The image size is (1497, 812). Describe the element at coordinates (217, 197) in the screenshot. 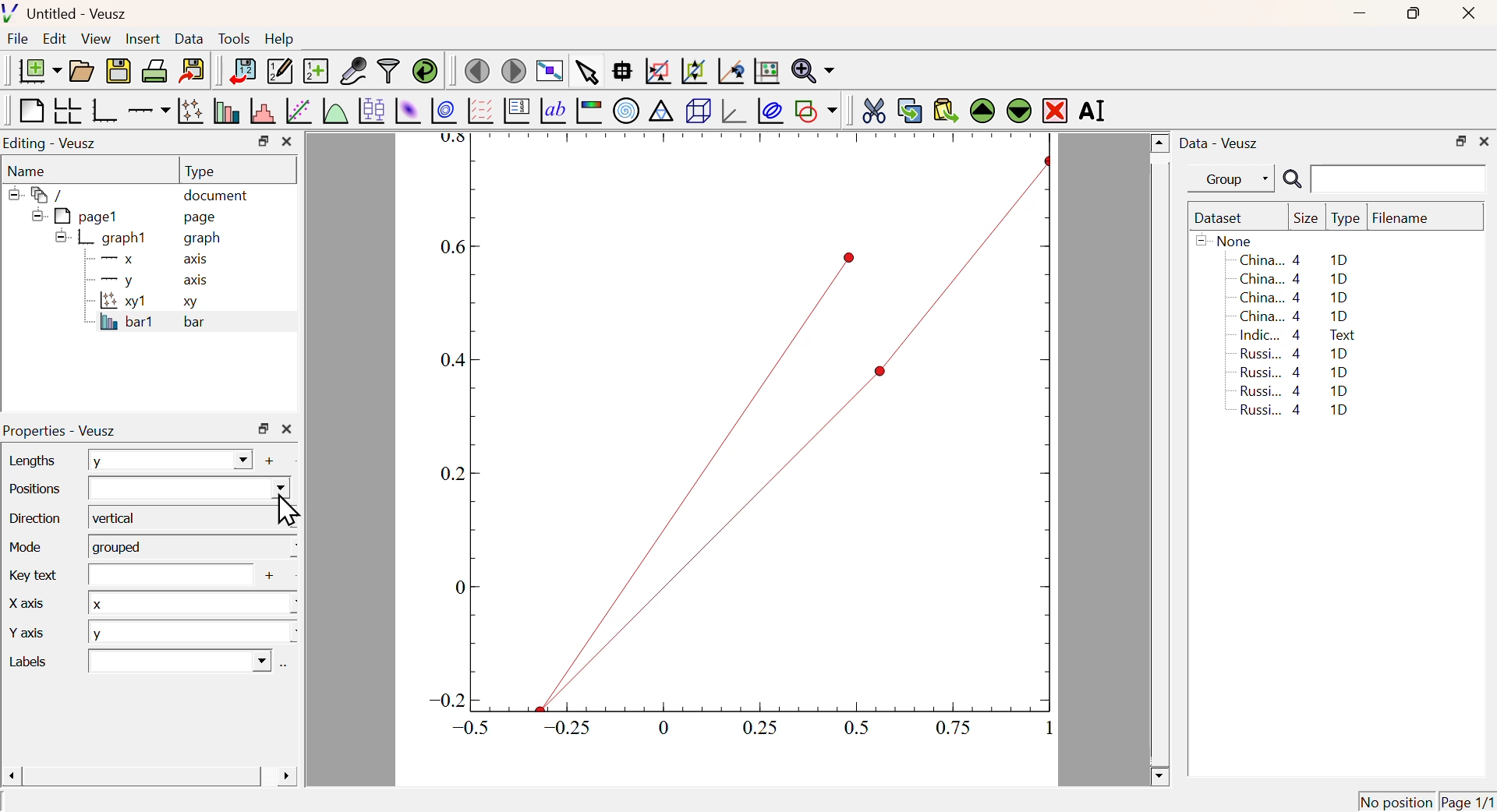

I see `document` at that location.